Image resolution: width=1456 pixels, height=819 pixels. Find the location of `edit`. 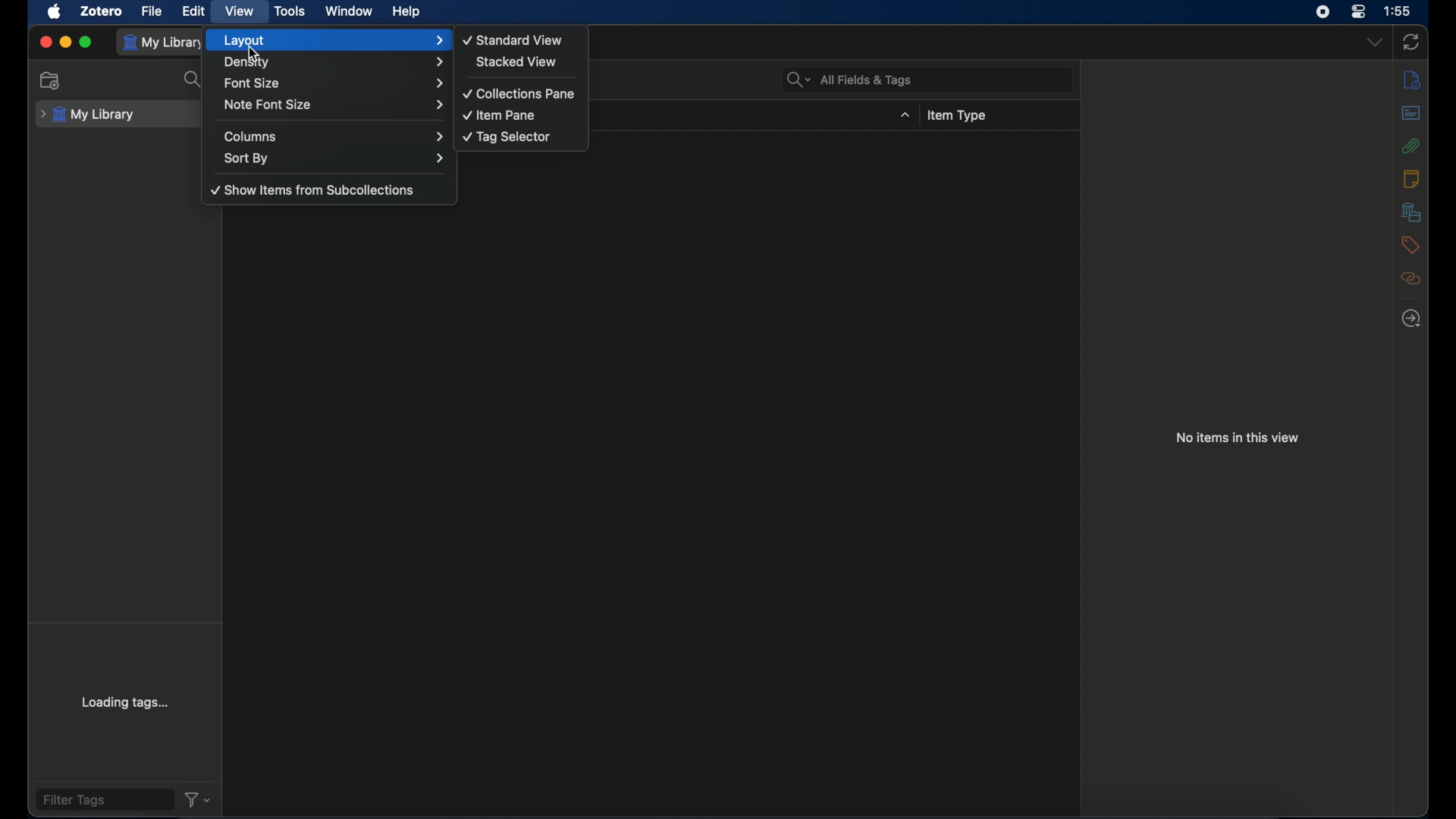

edit is located at coordinates (193, 11).